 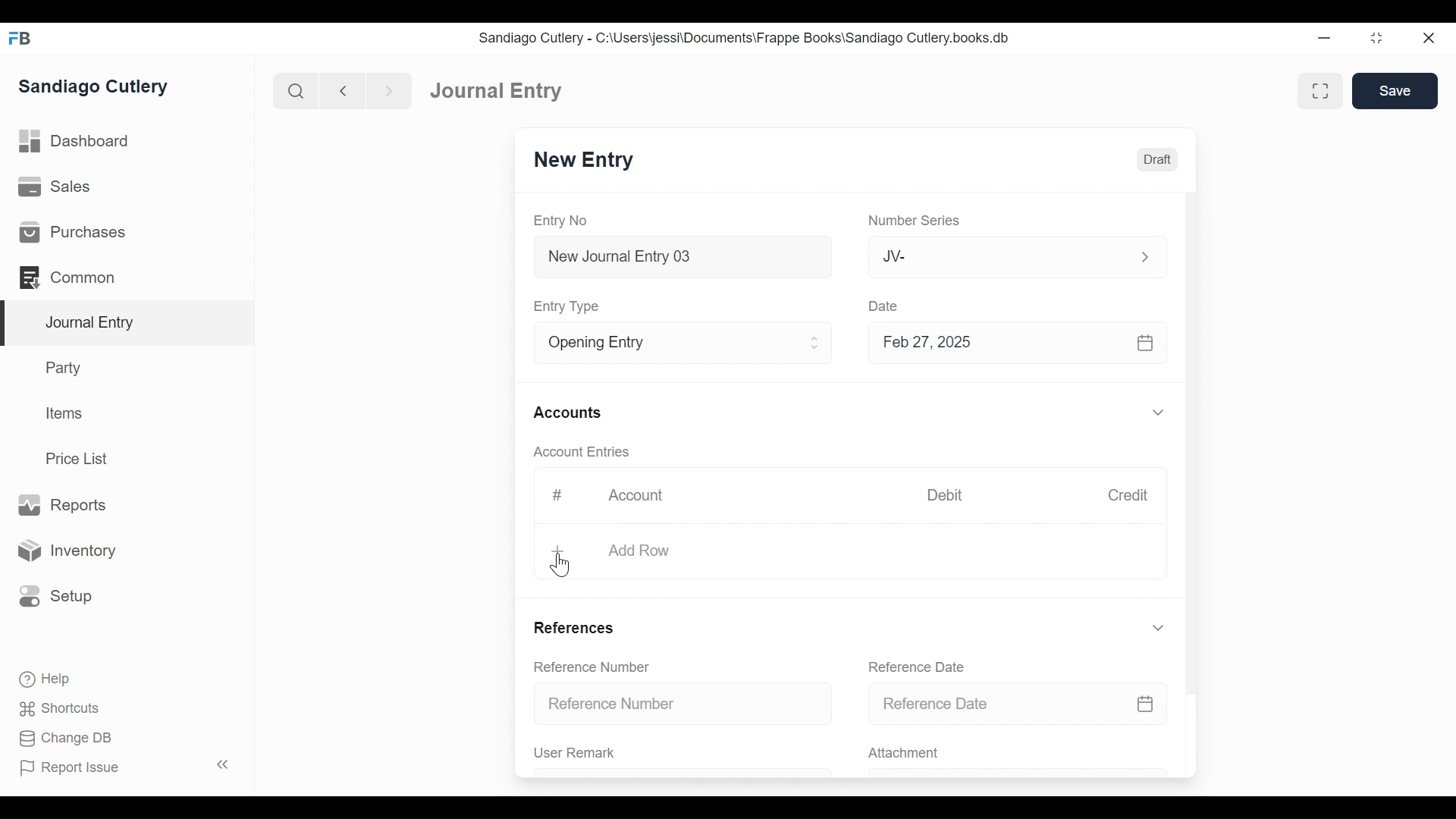 What do you see at coordinates (912, 221) in the screenshot?
I see `Number Series` at bounding box center [912, 221].